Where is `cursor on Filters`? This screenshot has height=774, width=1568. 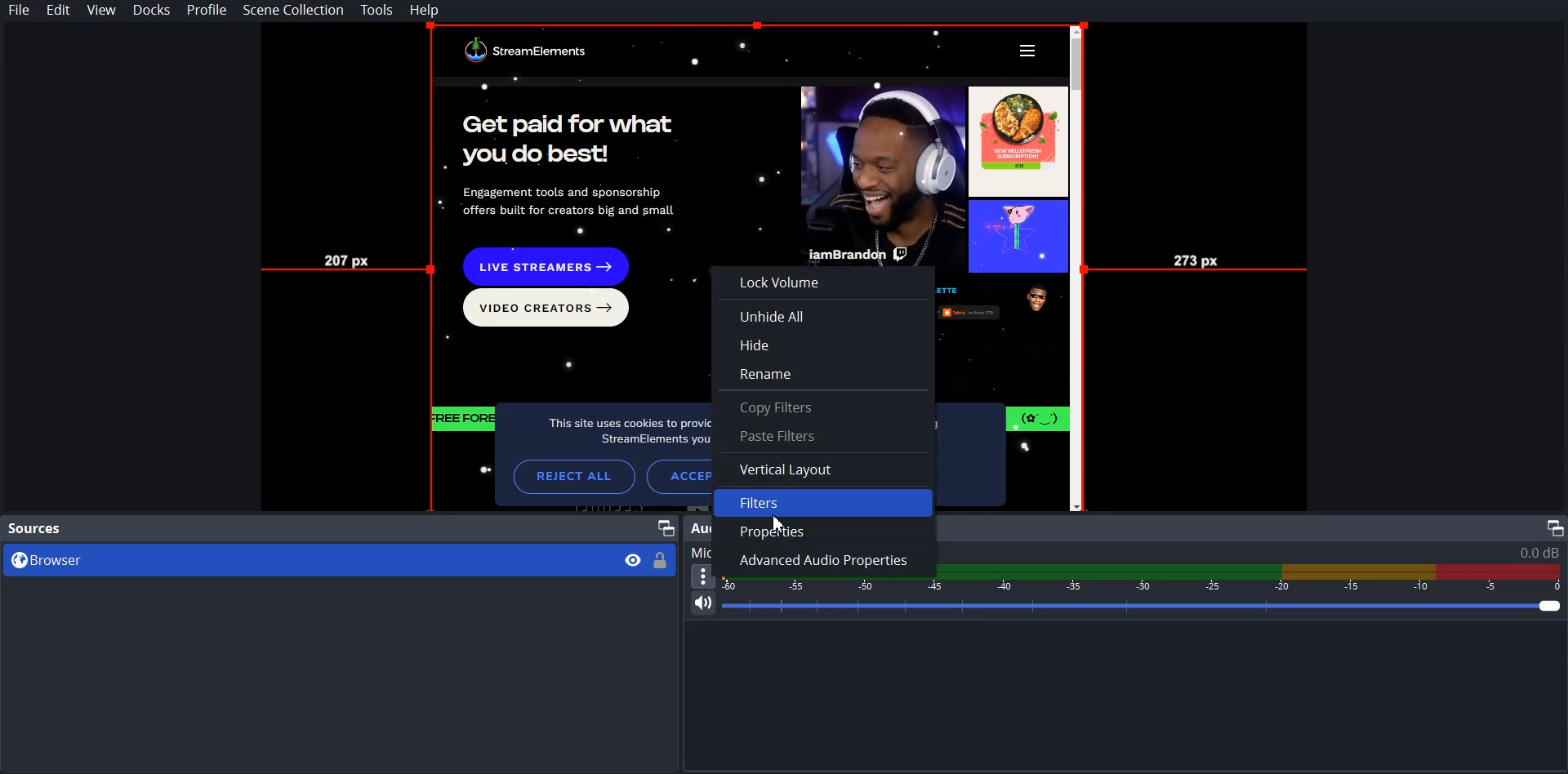 cursor on Filters is located at coordinates (781, 523).